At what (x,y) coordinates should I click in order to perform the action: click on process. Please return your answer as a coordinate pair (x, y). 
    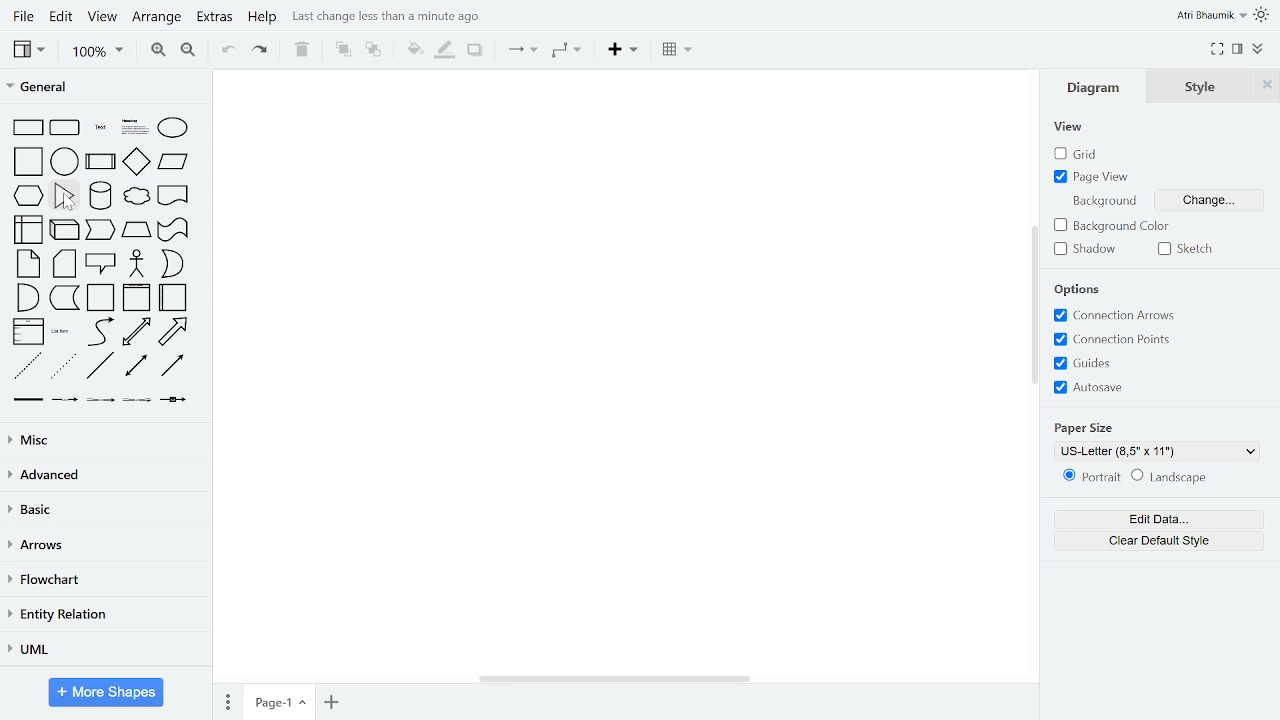
    Looking at the image, I should click on (101, 161).